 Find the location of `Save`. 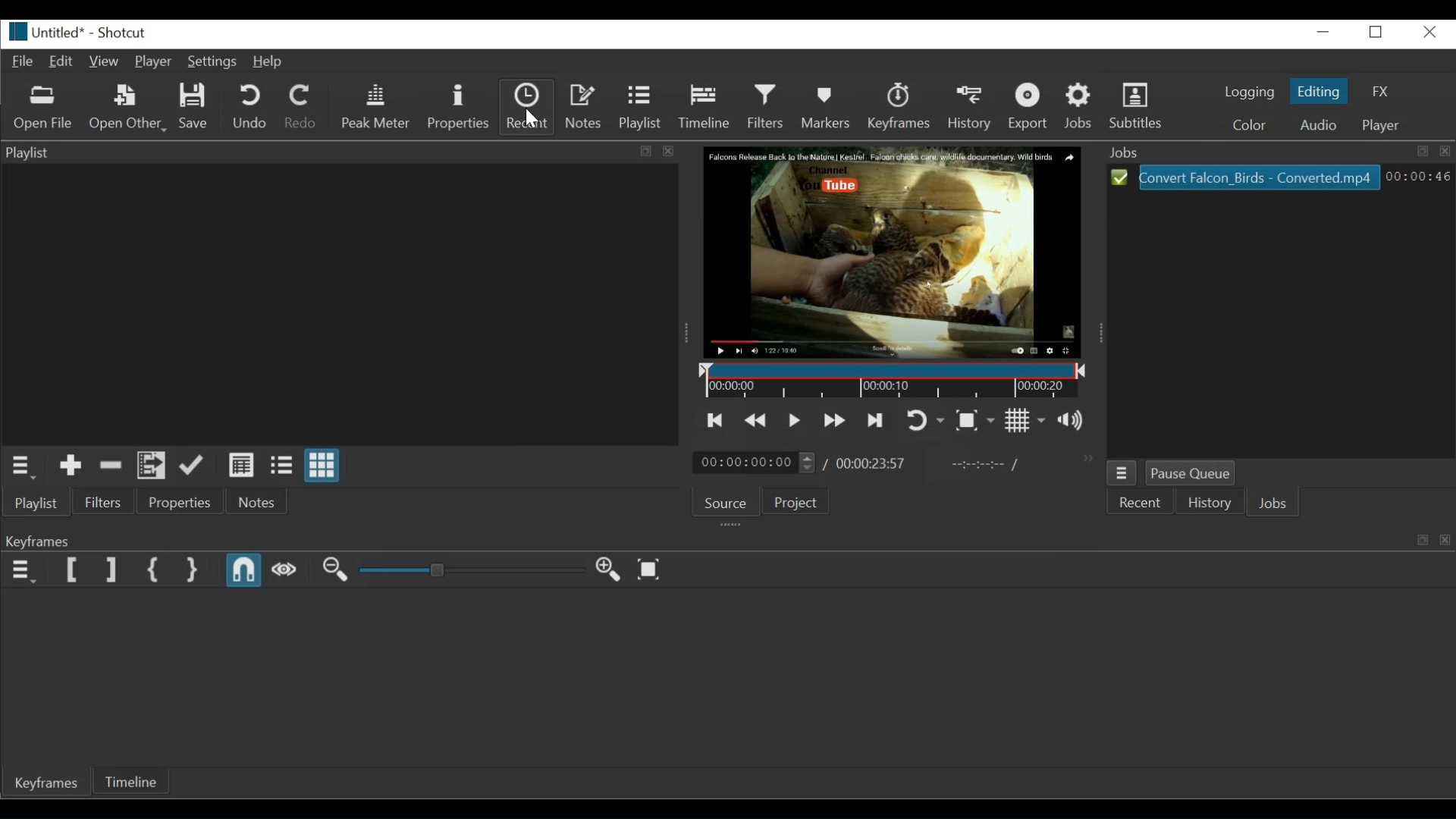

Save is located at coordinates (195, 108).